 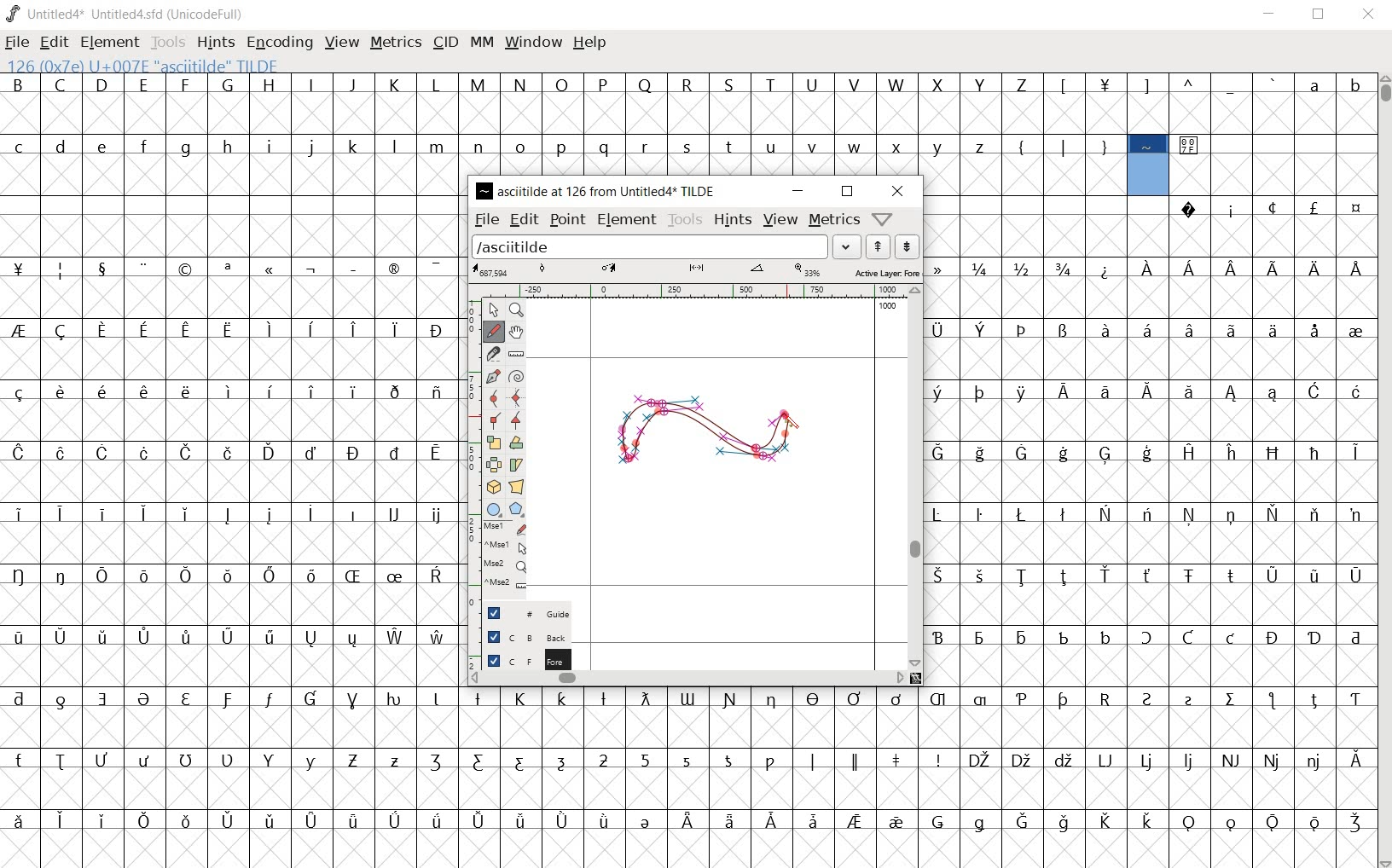 What do you see at coordinates (515, 445) in the screenshot?
I see `Rotate the selection` at bounding box center [515, 445].